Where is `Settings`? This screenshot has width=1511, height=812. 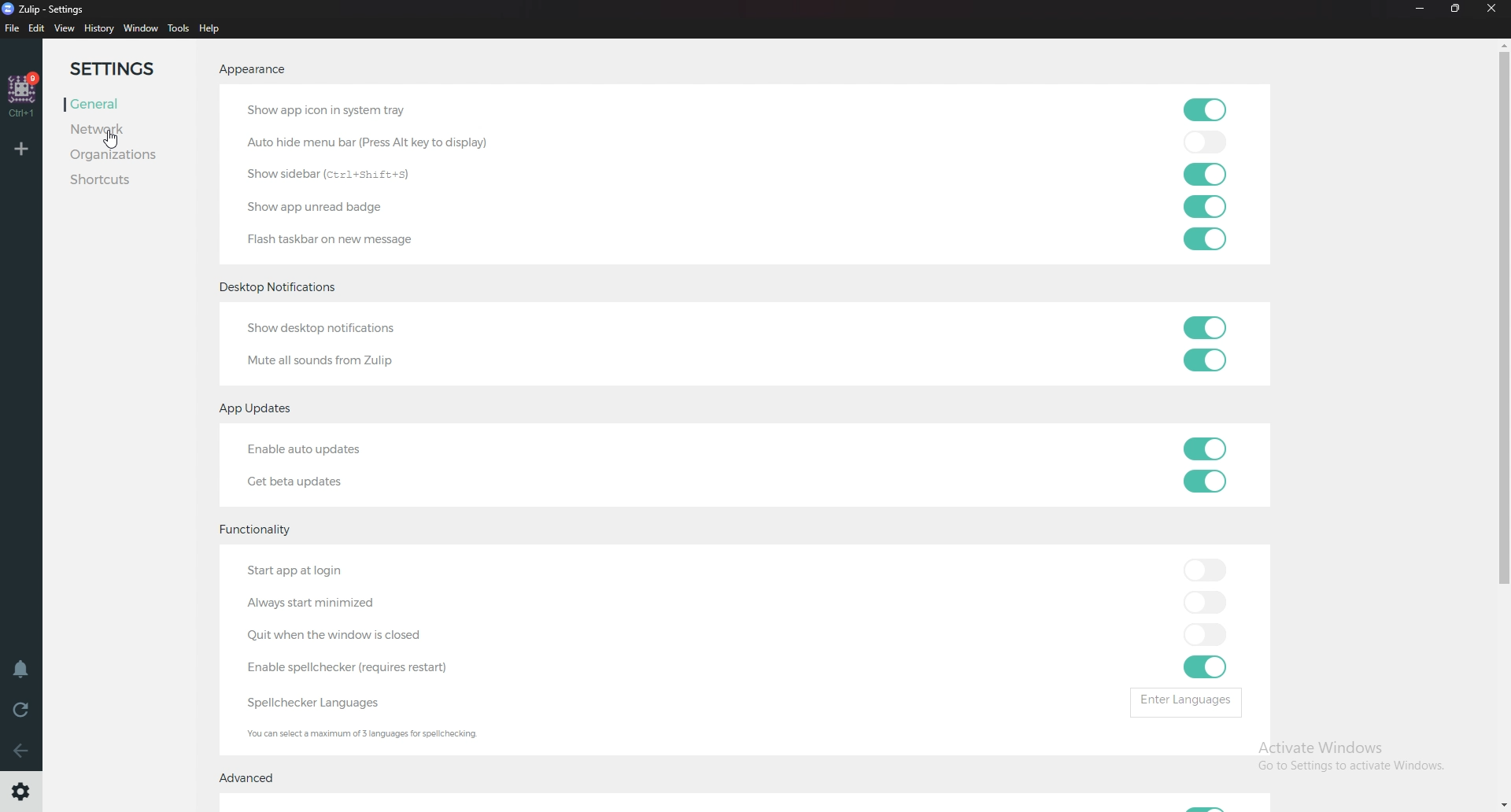
Settings is located at coordinates (22, 792).